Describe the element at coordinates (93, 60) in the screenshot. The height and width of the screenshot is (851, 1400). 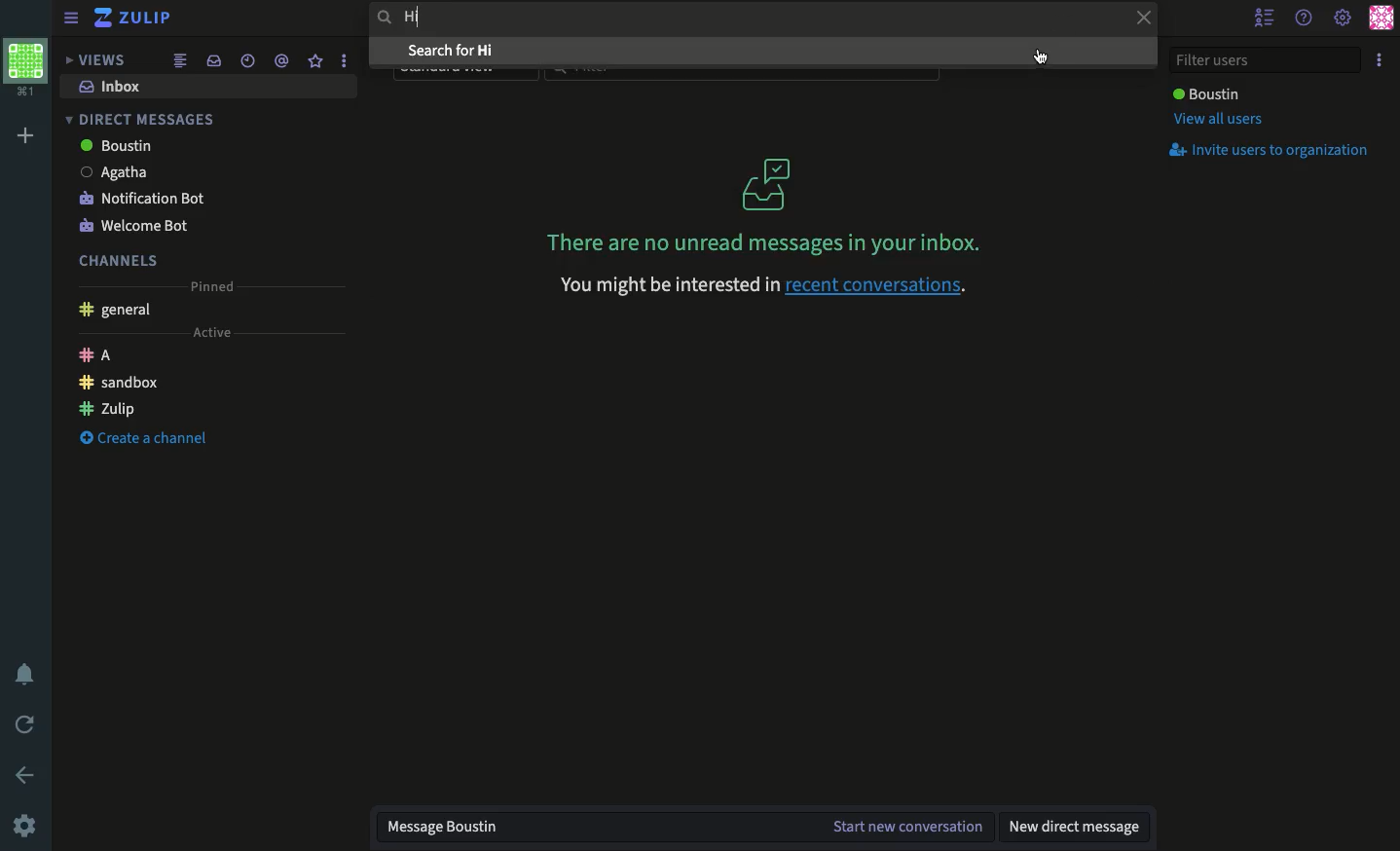
I see `Views` at that location.